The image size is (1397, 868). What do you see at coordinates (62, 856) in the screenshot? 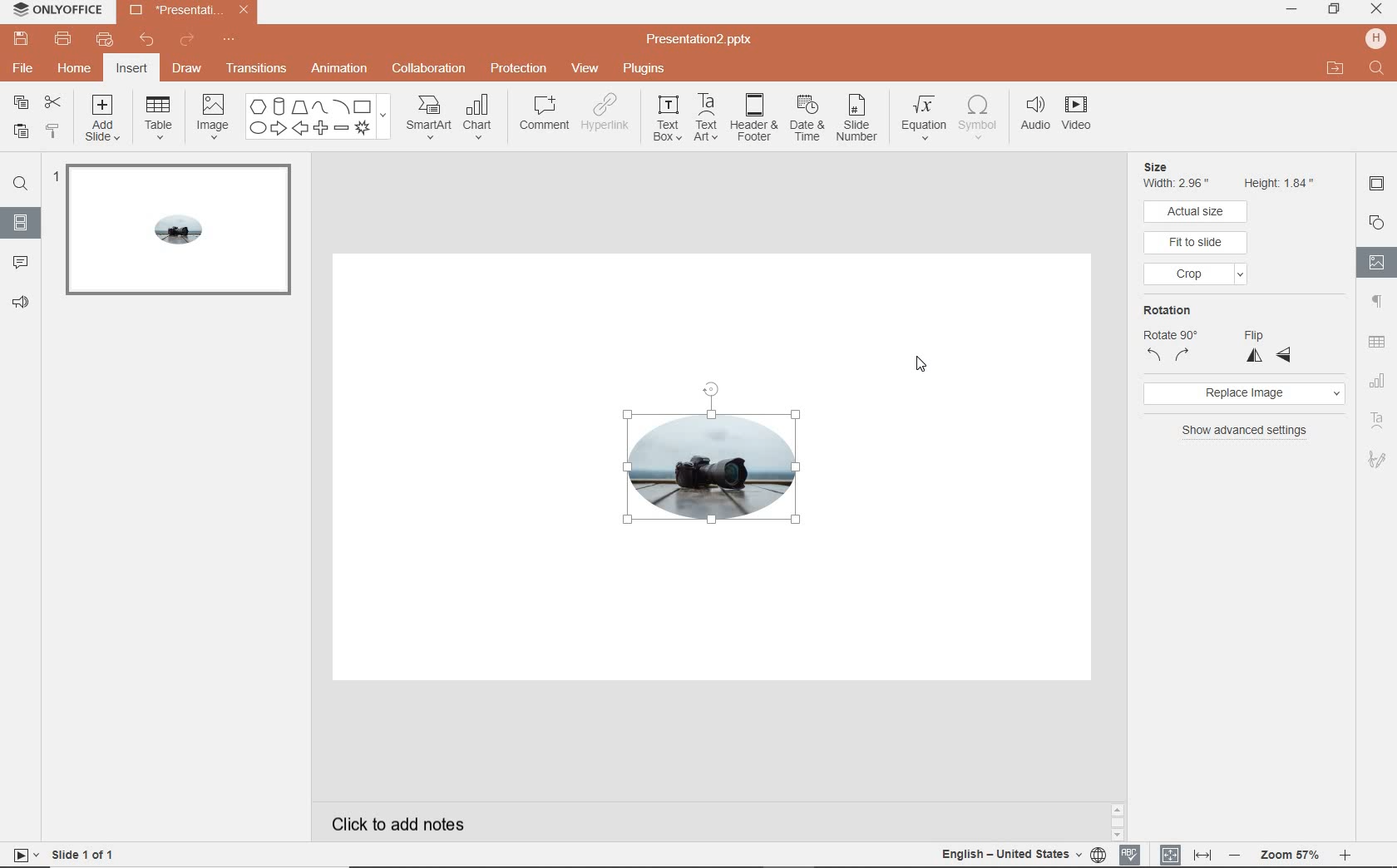
I see `slide 1 of 1` at bounding box center [62, 856].